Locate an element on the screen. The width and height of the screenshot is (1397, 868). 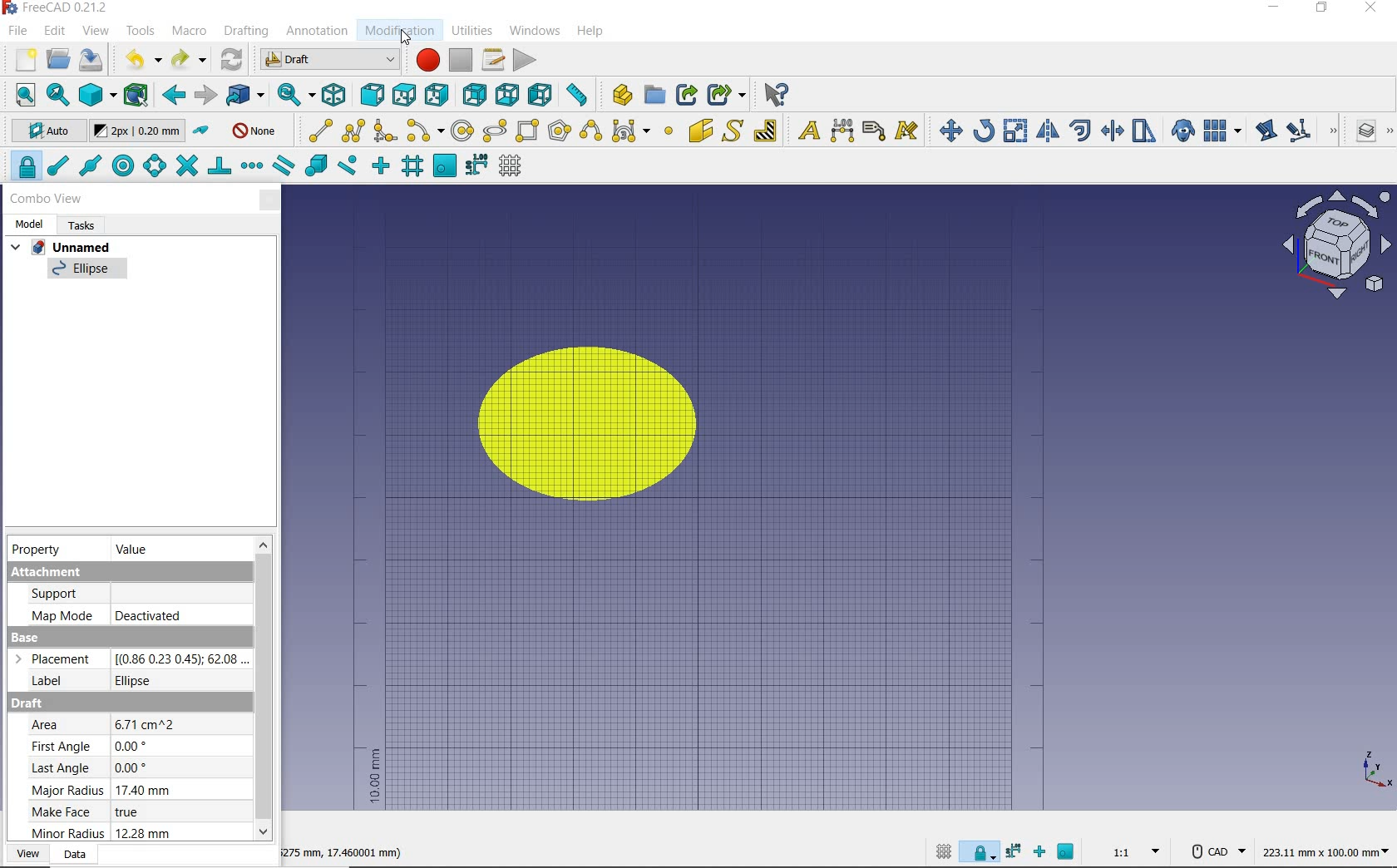
macro is located at coordinates (189, 33).